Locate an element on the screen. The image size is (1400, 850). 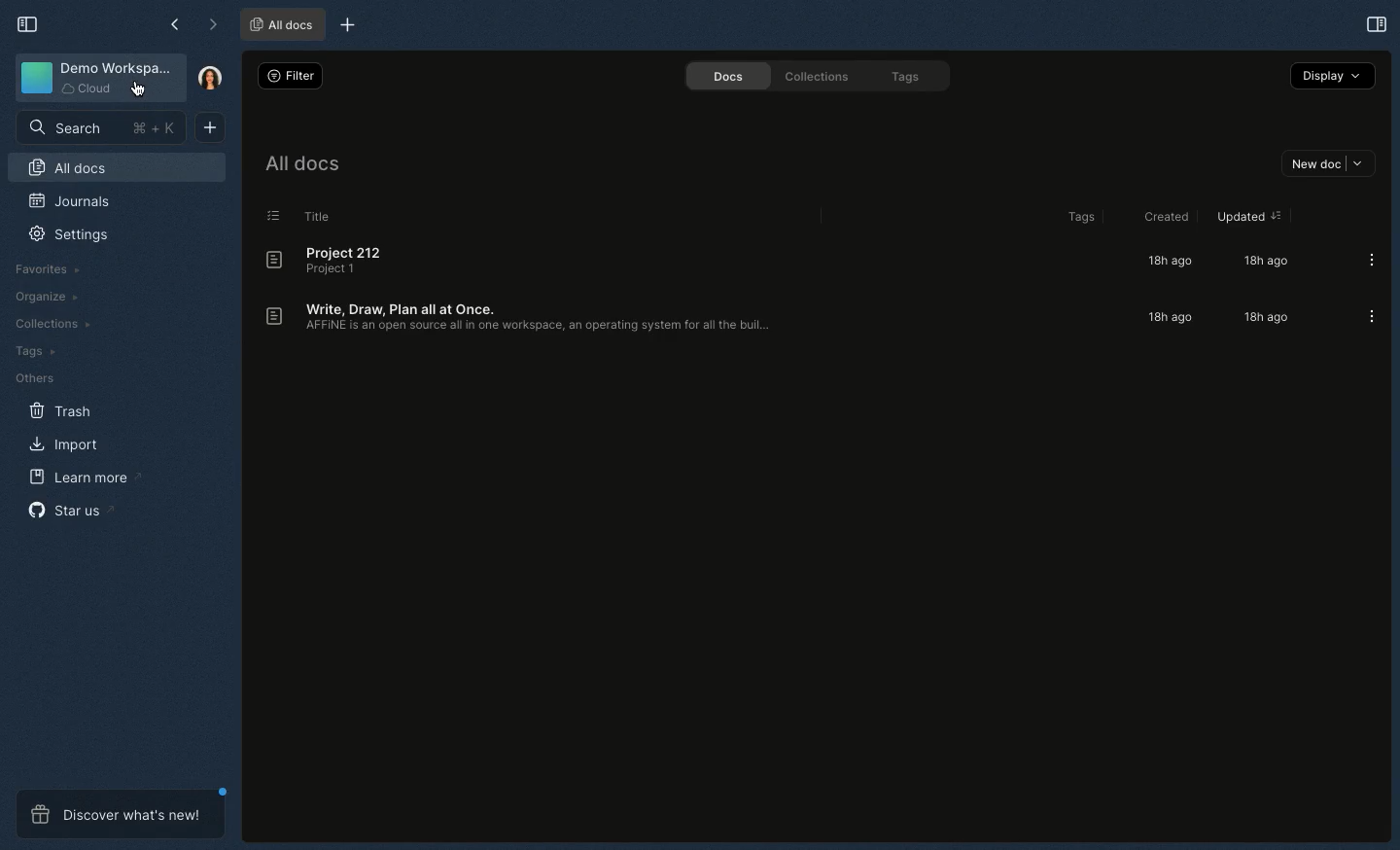
Docs is located at coordinates (723, 77).